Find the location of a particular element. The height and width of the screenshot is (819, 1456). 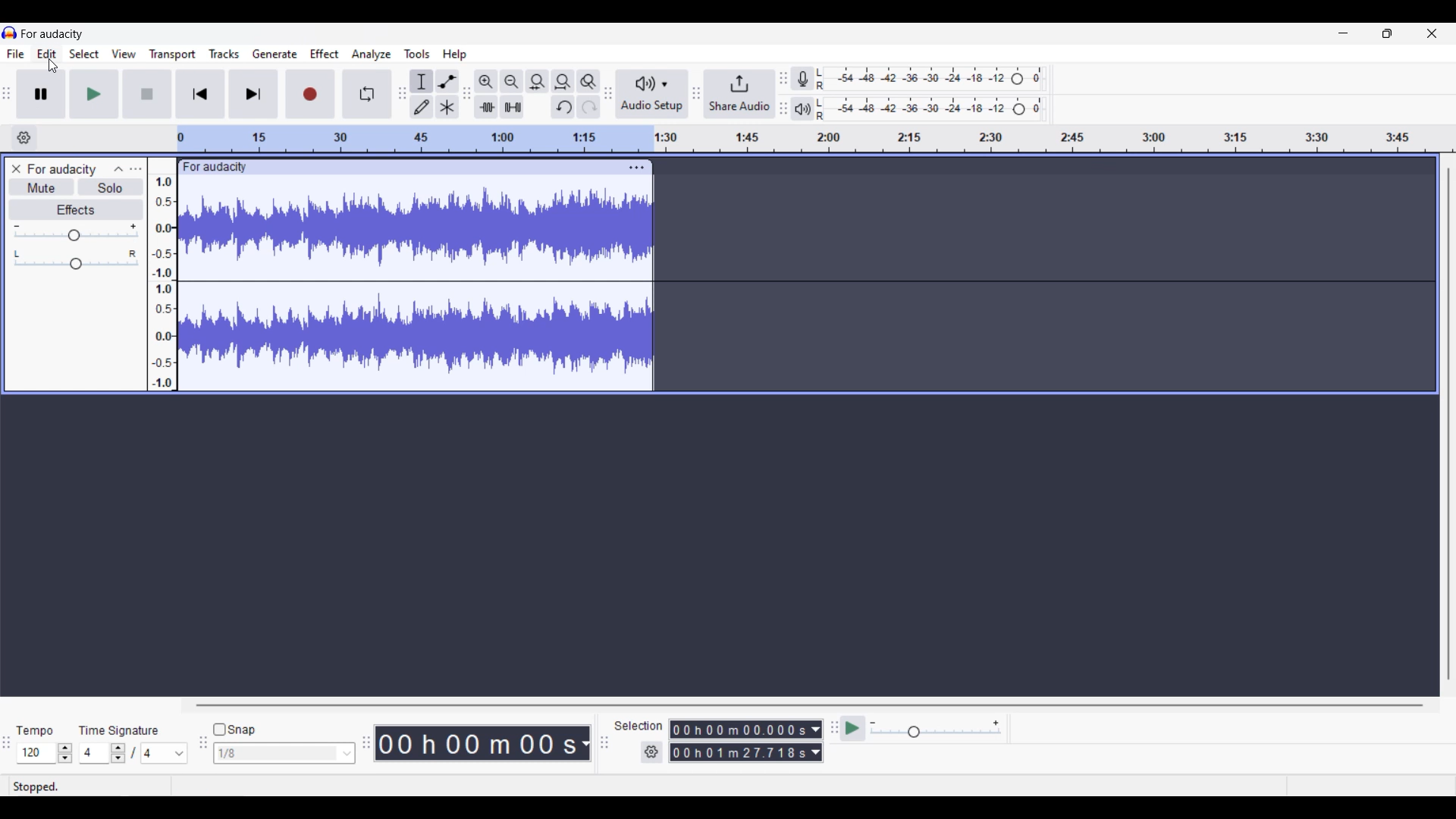

Pan slider is located at coordinates (77, 259).